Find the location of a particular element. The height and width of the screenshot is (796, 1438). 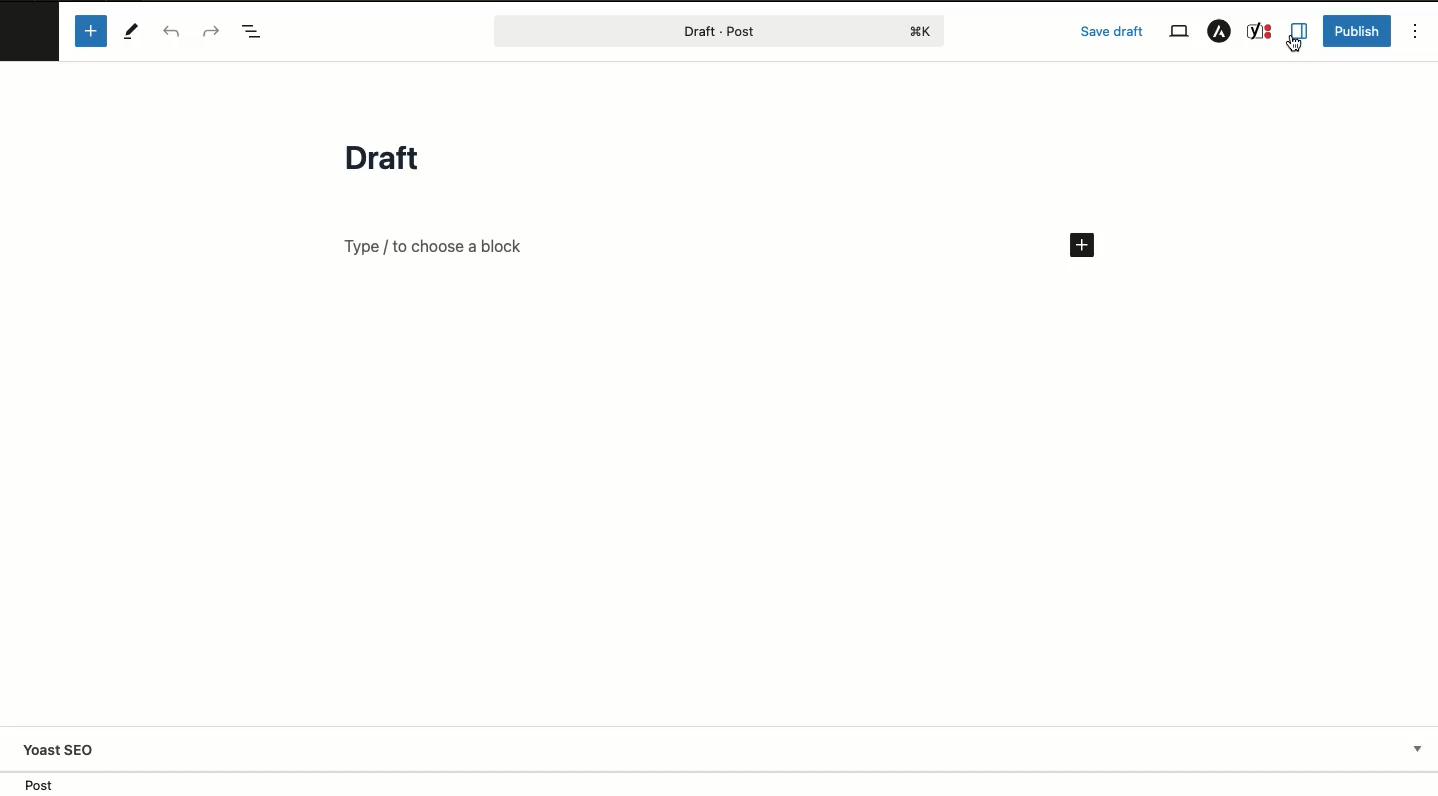

View is located at coordinates (1177, 32).